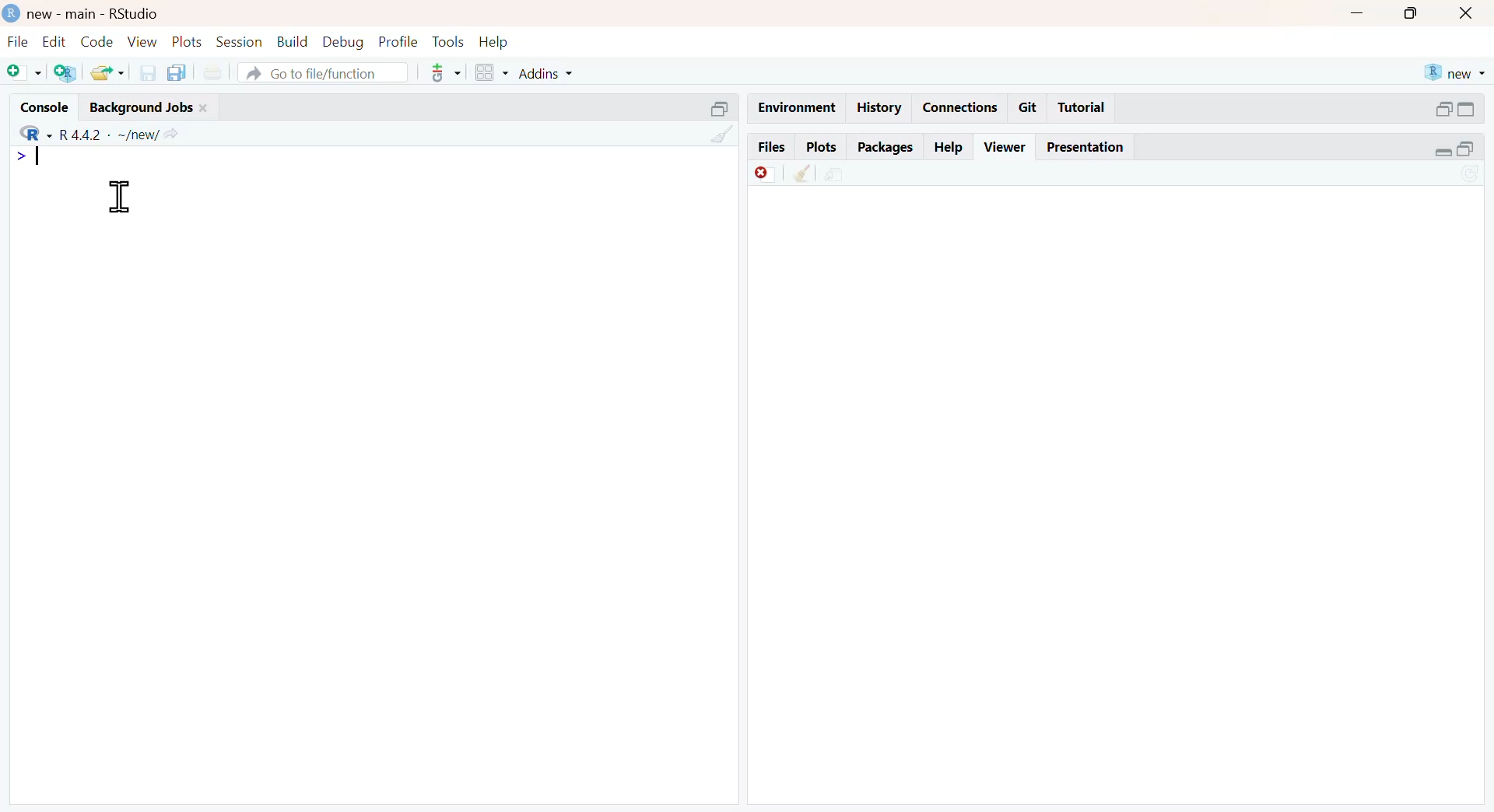 The image size is (1494, 812). What do you see at coordinates (26, 73) in the screenshot?
I see `Add file as` at bounding box center [26, 73].